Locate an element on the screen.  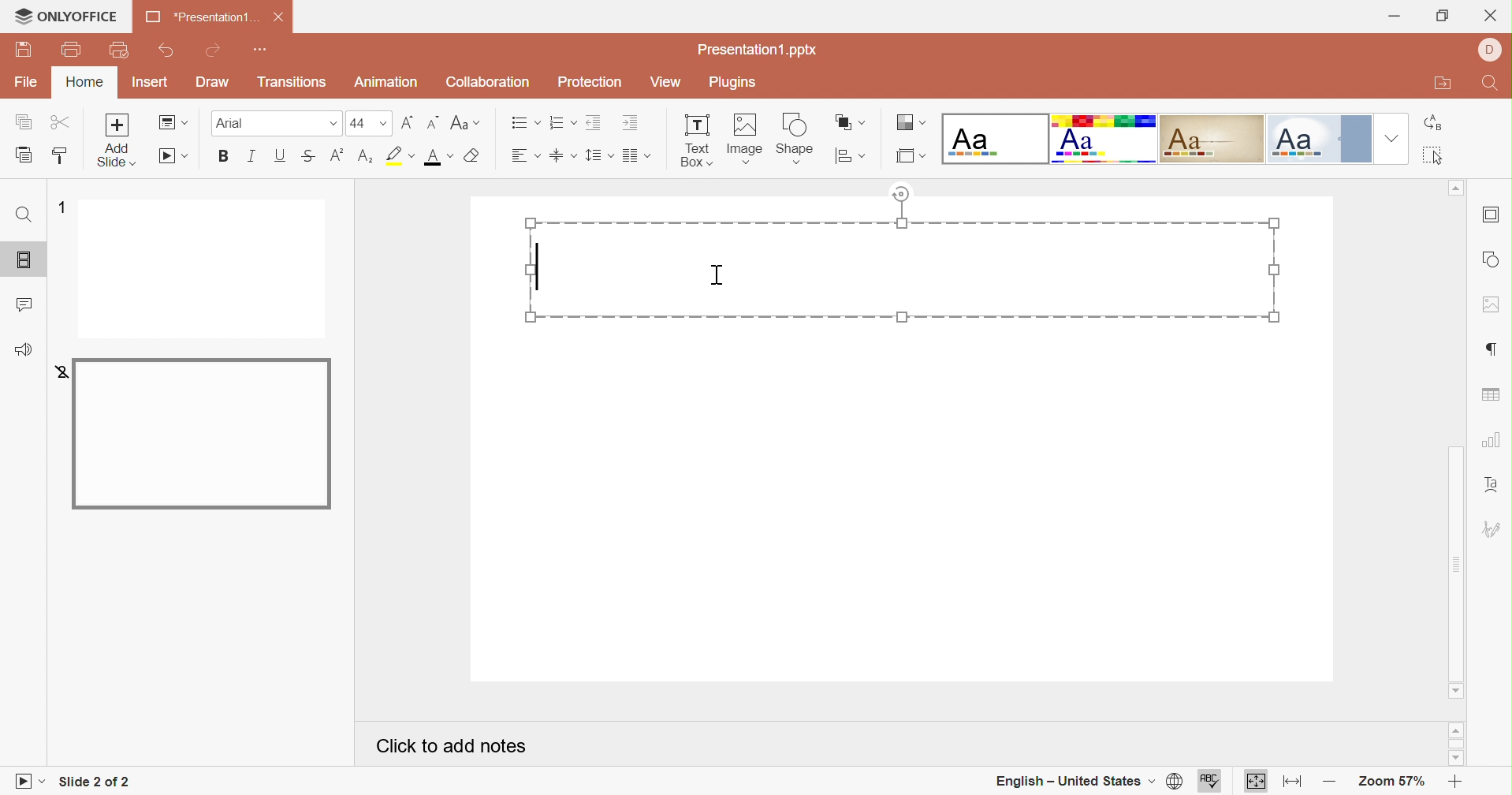
Font color is located at coordinates (438, 159).